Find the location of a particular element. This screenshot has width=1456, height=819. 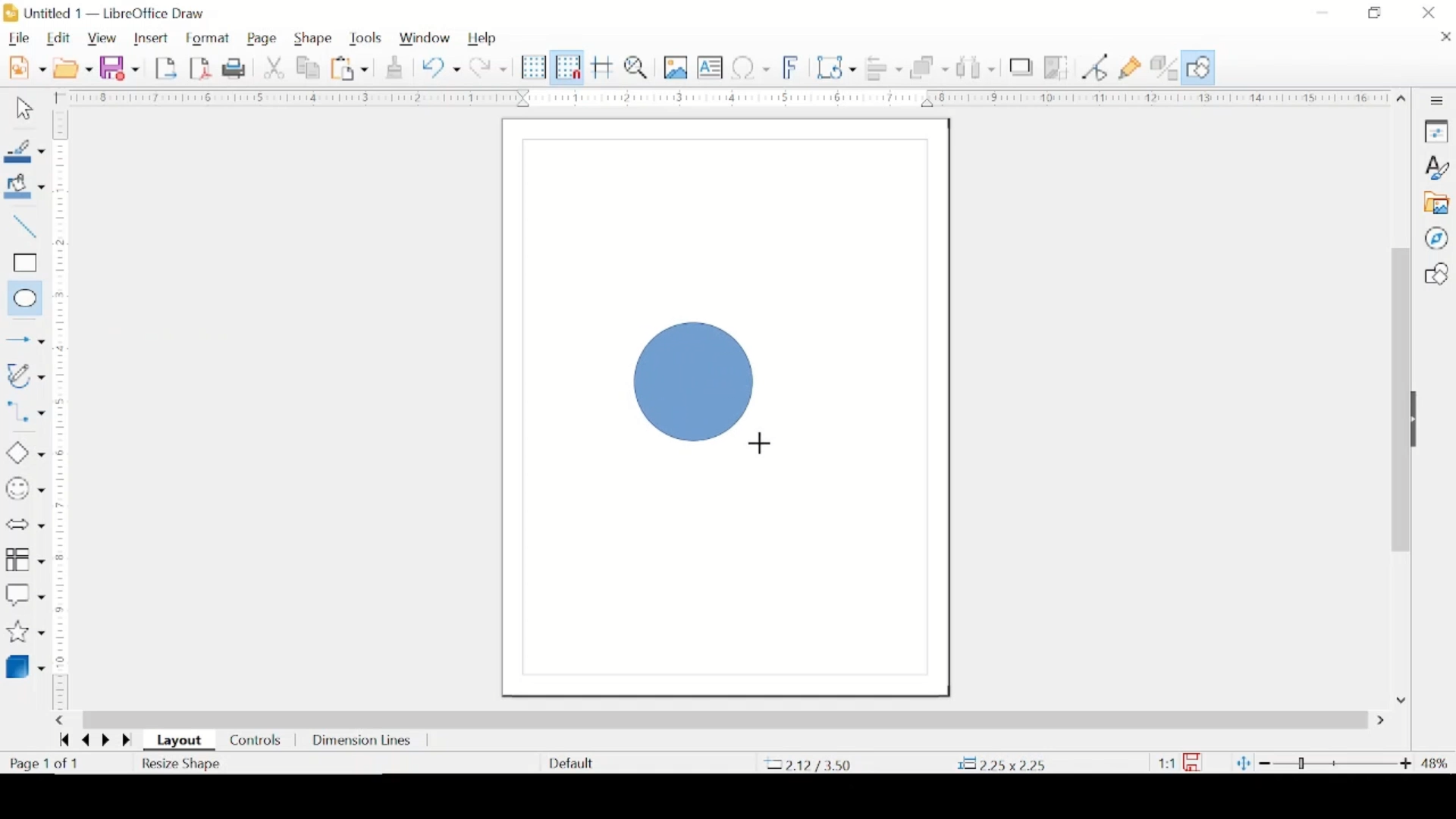

connectors is located at coordinates (25, 416).